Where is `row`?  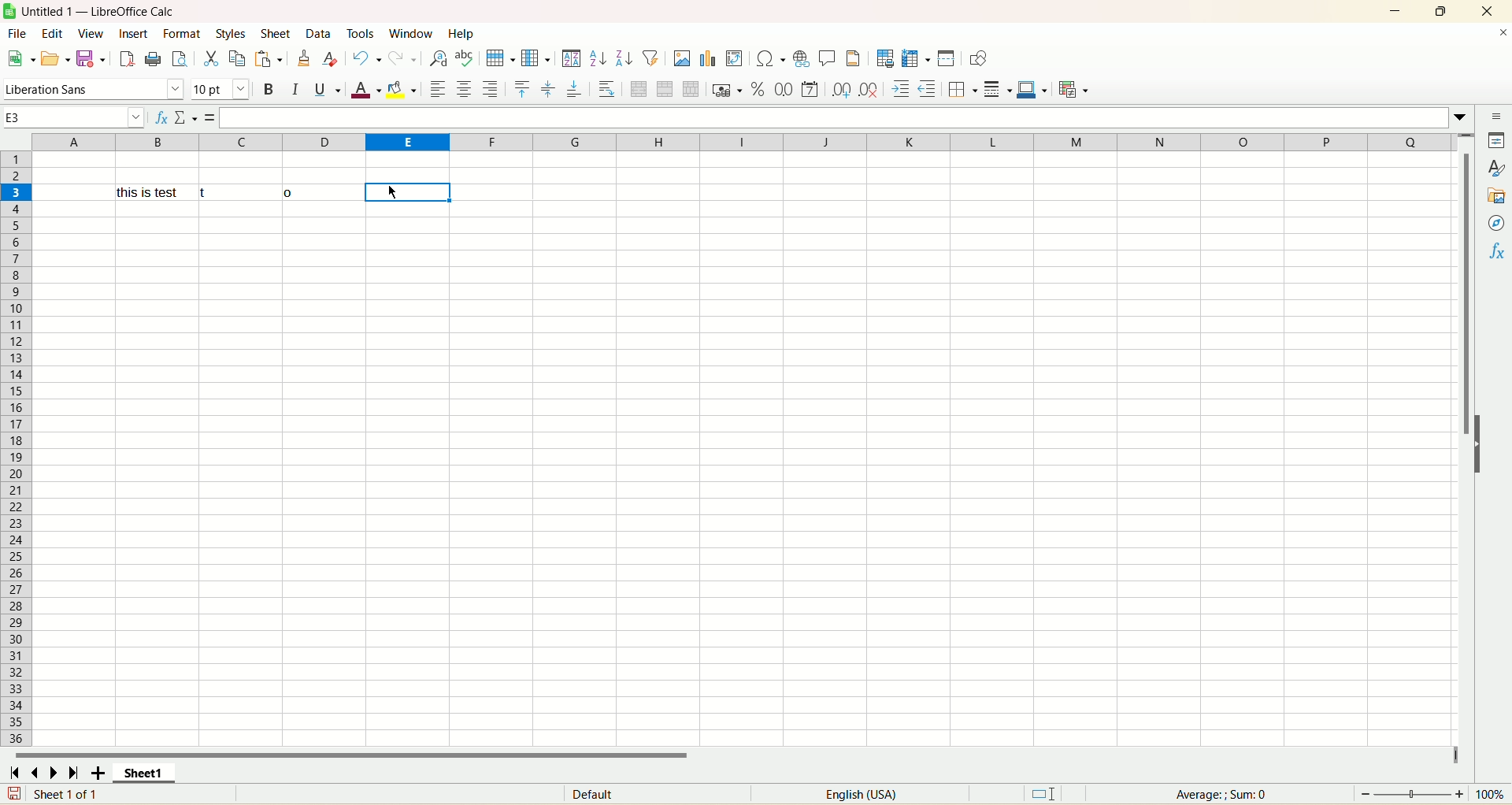 row is located at coordinates (14, 446).